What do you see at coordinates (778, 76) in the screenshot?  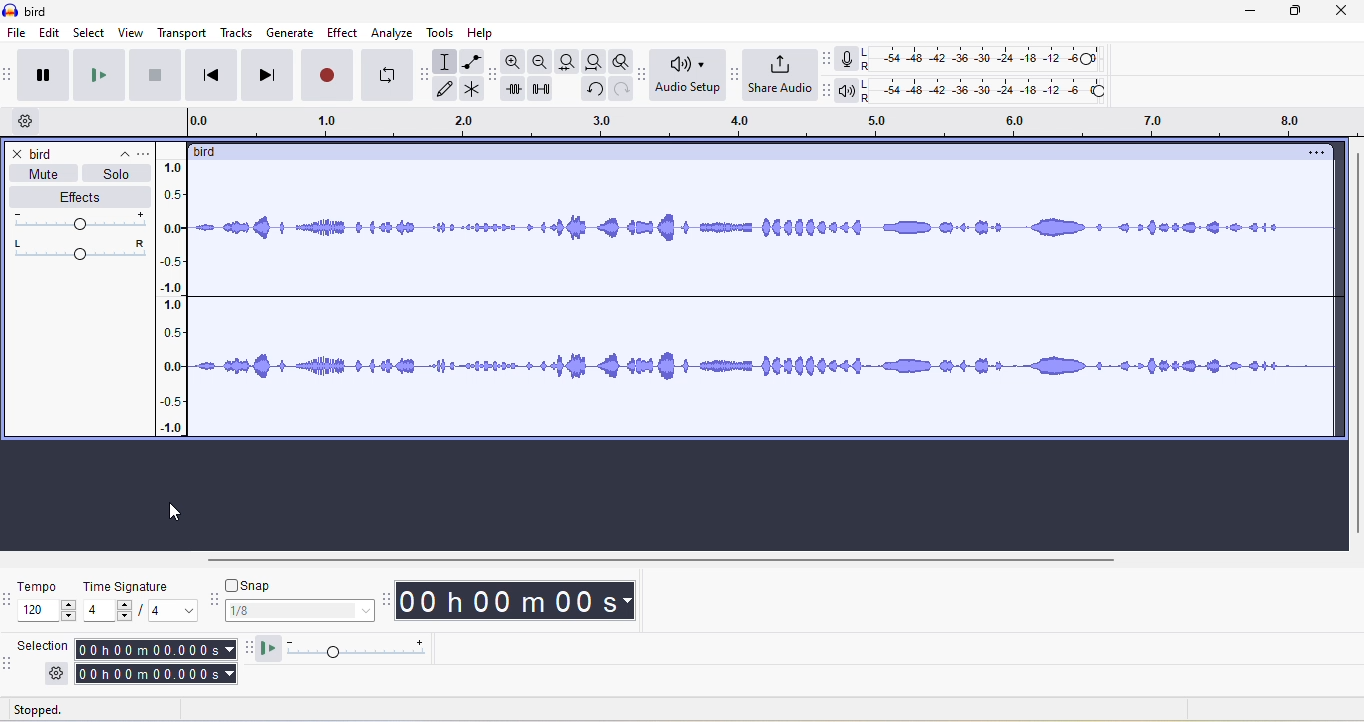 I see `share audio` at bounding box center [778, 76].